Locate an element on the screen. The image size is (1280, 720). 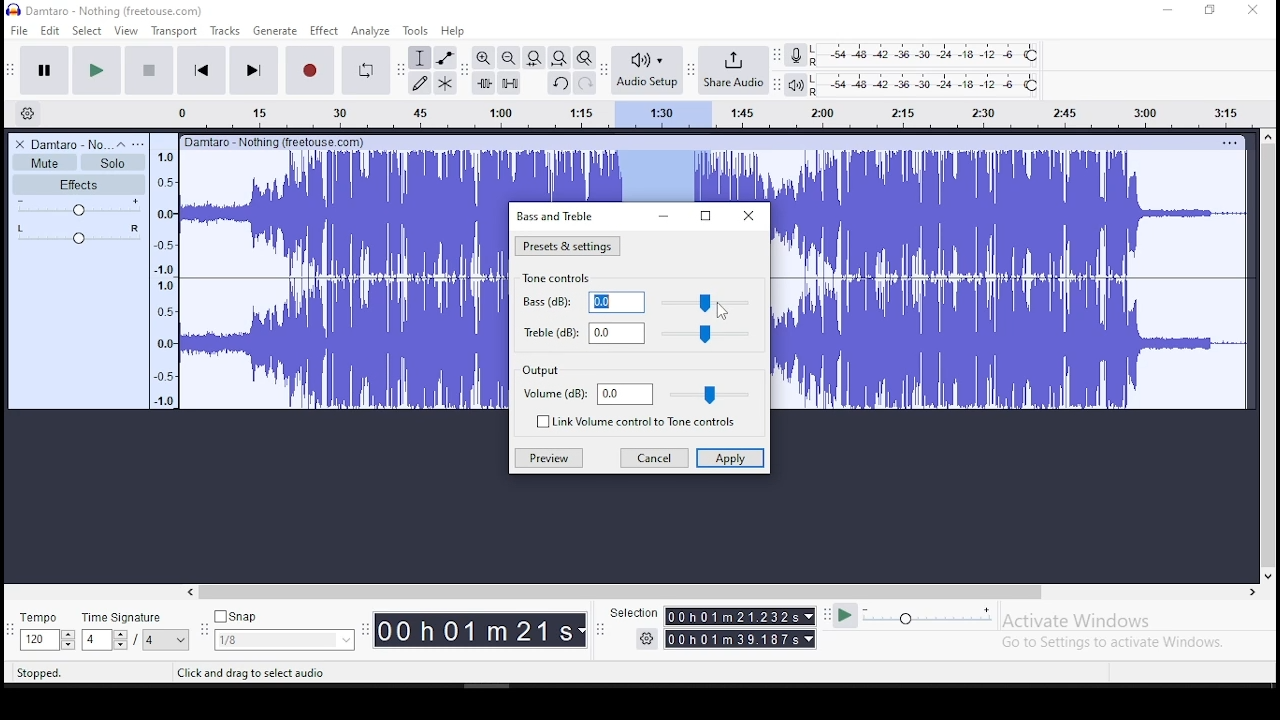
 is located at coordinates (275, 141).